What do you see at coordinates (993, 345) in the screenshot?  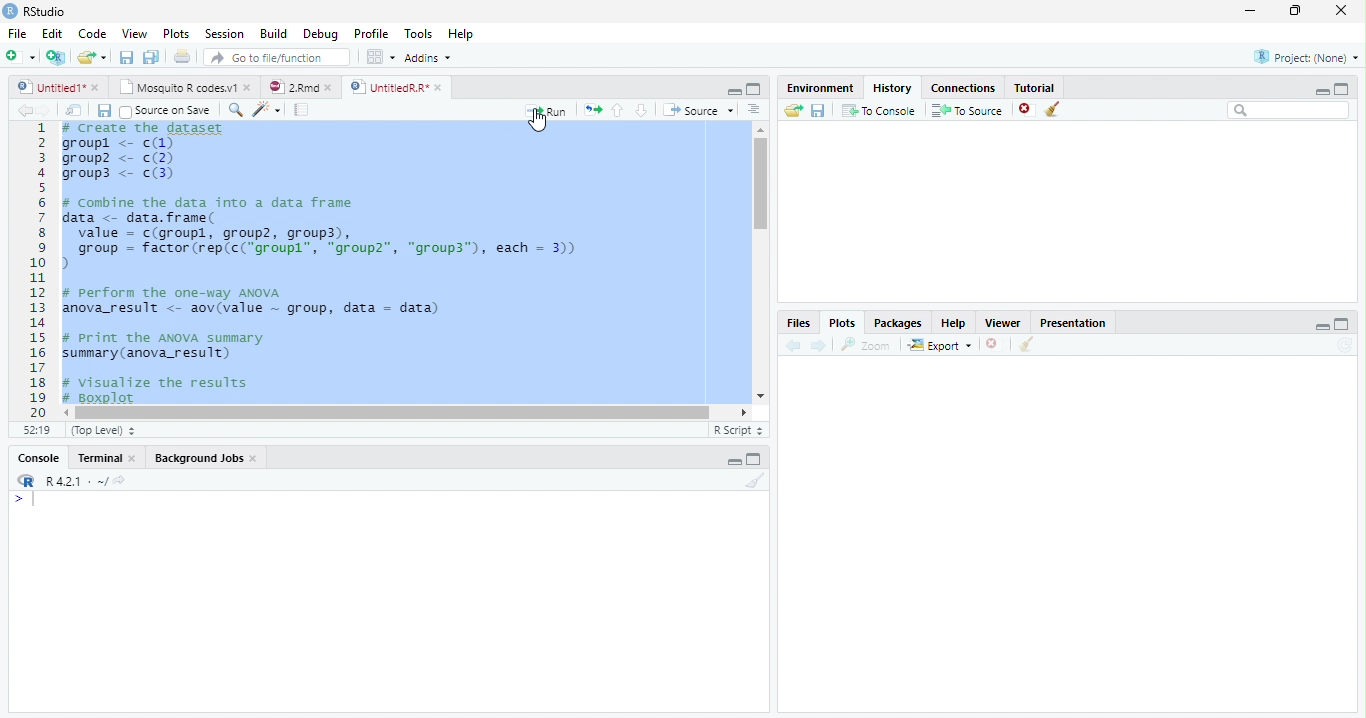 I see `Delete` at bounding box center [993, 345].